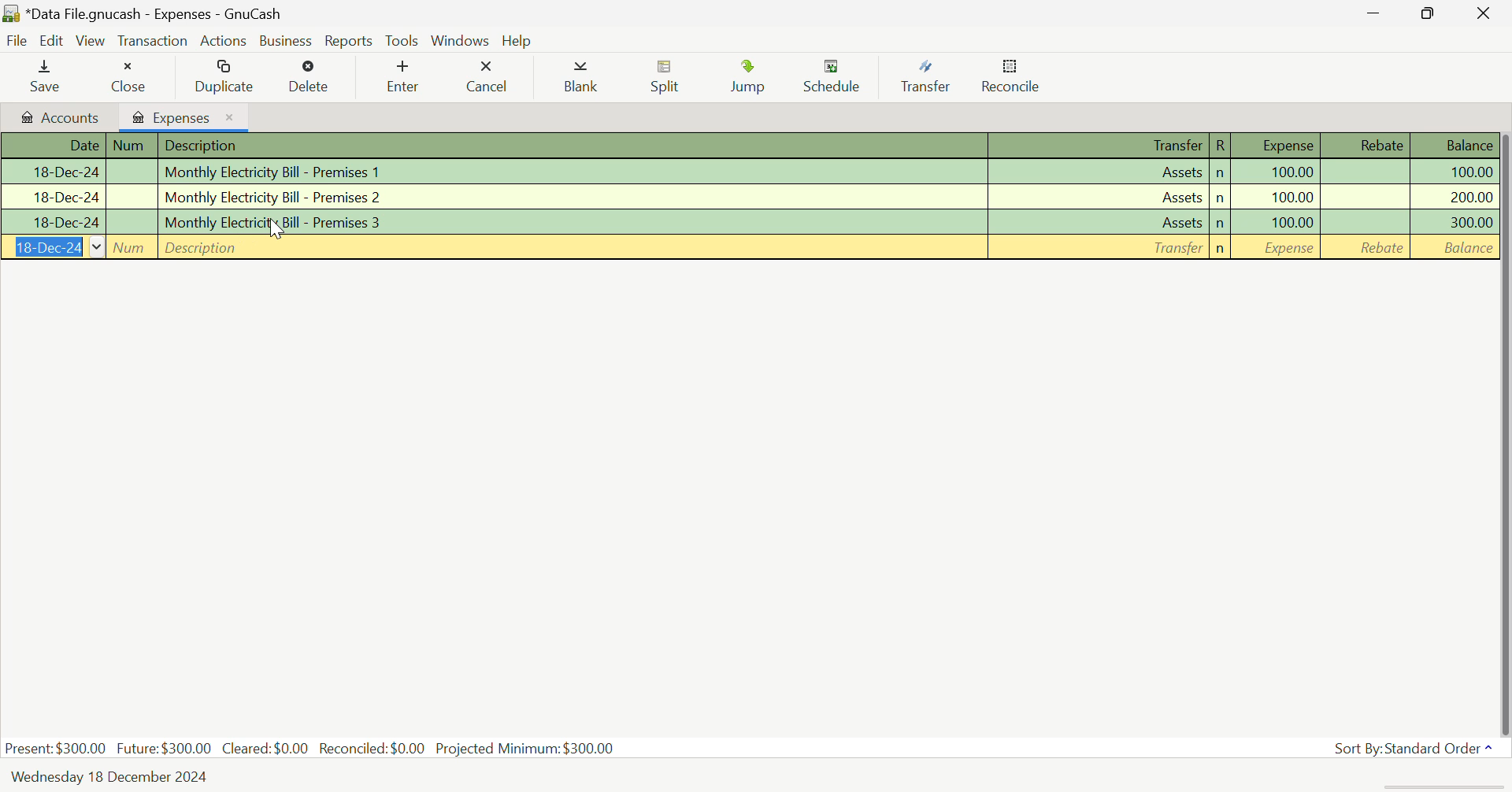  Describe the element at coordinates (52, 41) in the screenshot. I see `Edit` at that location.